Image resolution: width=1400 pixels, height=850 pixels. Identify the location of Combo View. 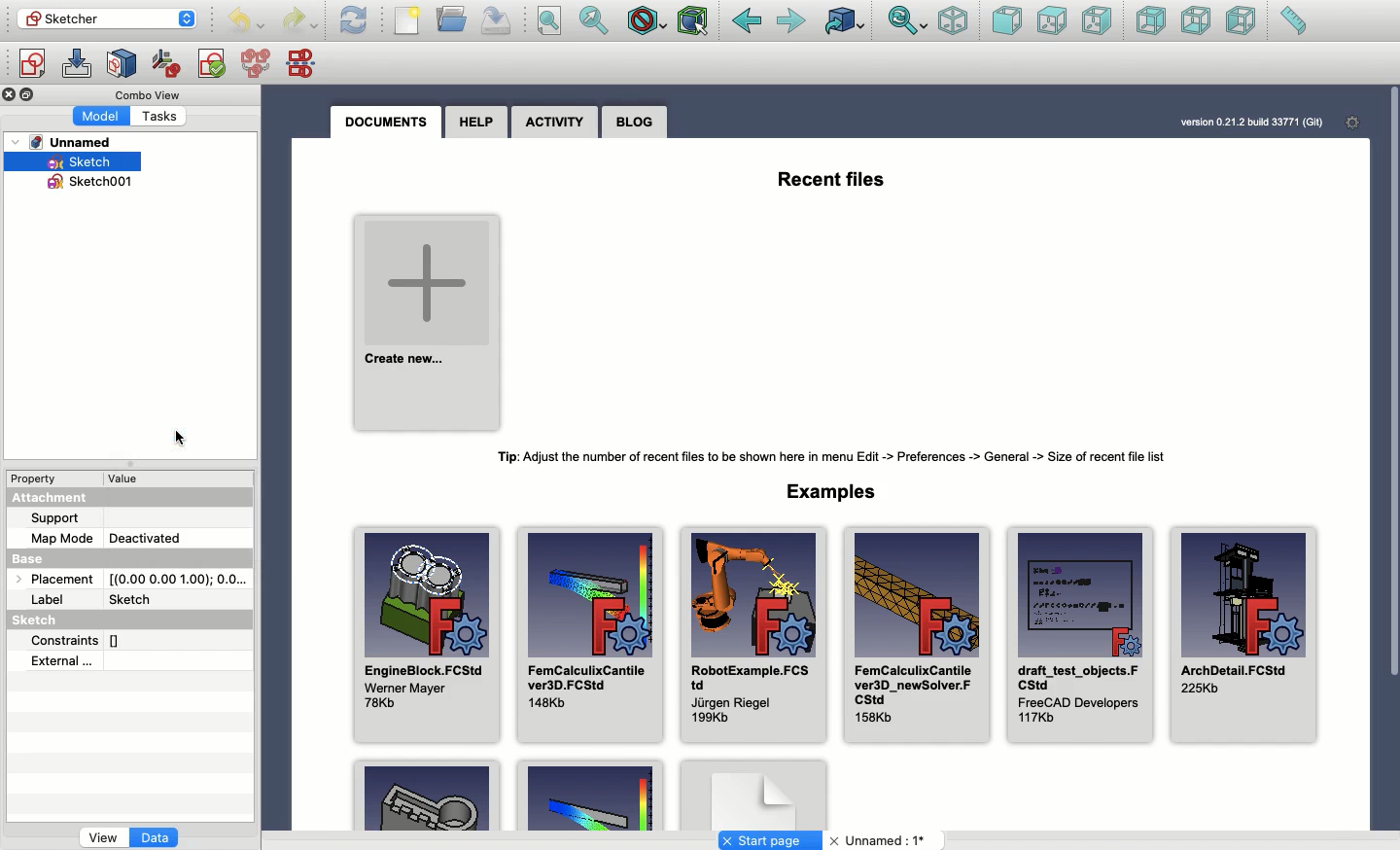
(149, 94).